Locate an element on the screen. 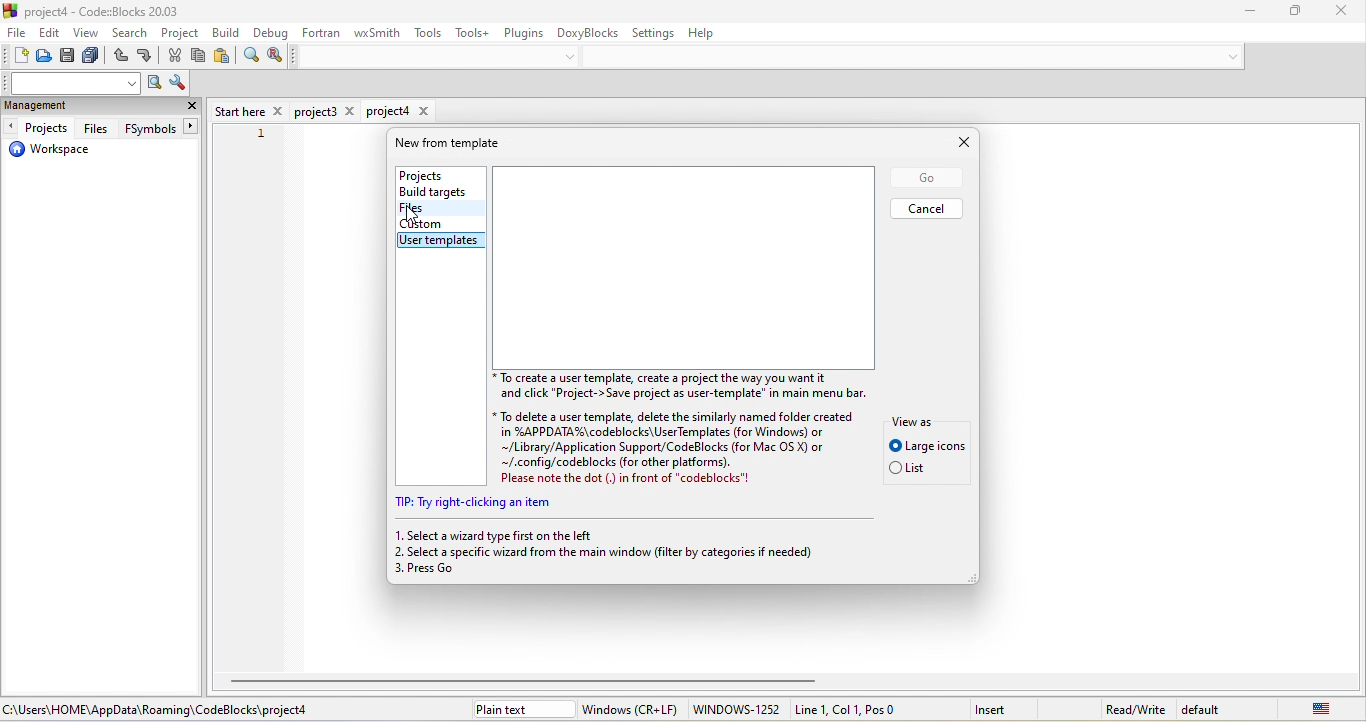 The height and width of the screenshot is (722, 1366). cursor movement is located at coordinates (416, 215).